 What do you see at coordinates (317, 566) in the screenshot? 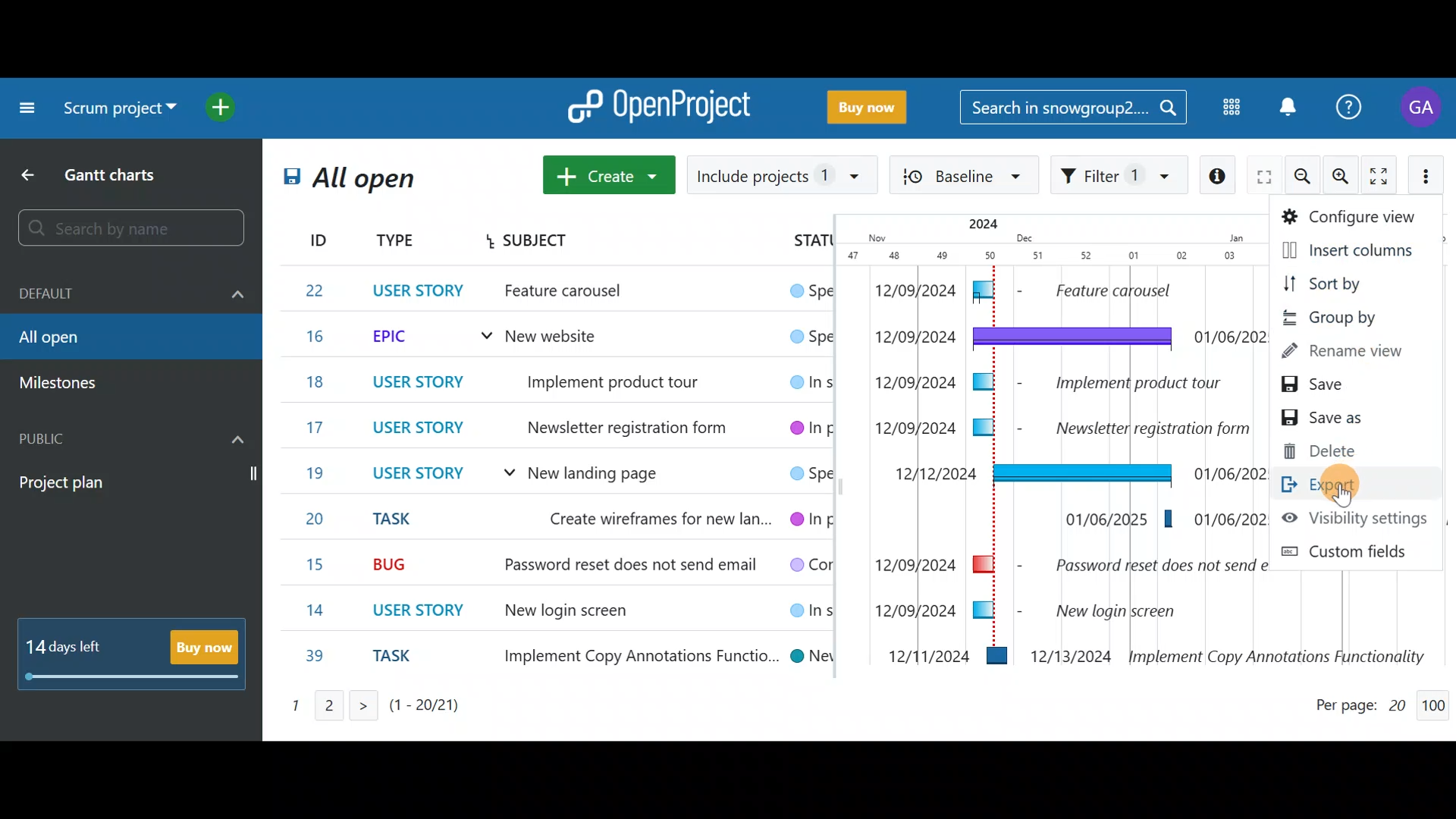
I see `15` at bounding box center [317, 566].